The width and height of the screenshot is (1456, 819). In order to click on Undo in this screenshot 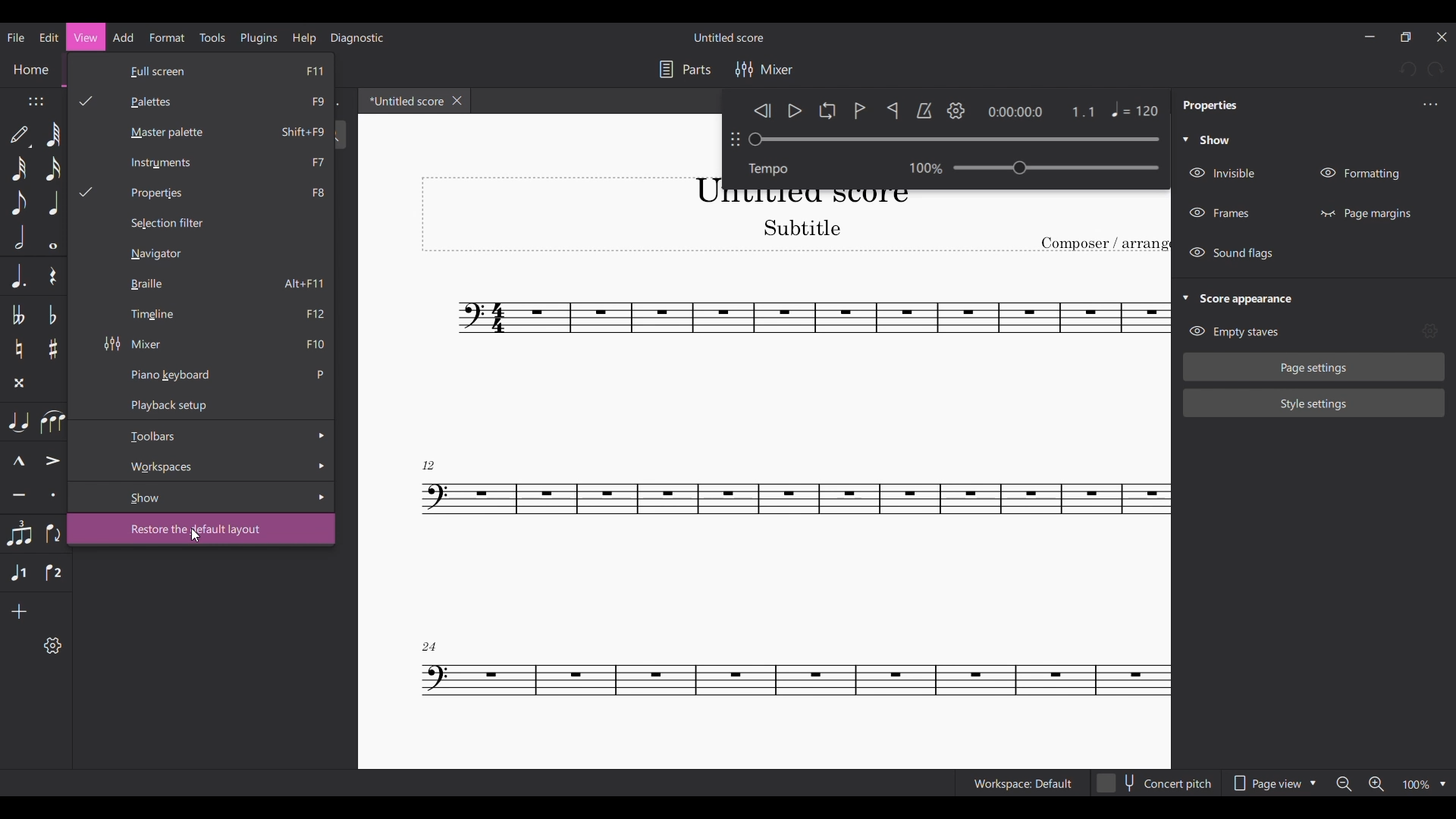, I will do `click(1407, 69)`.